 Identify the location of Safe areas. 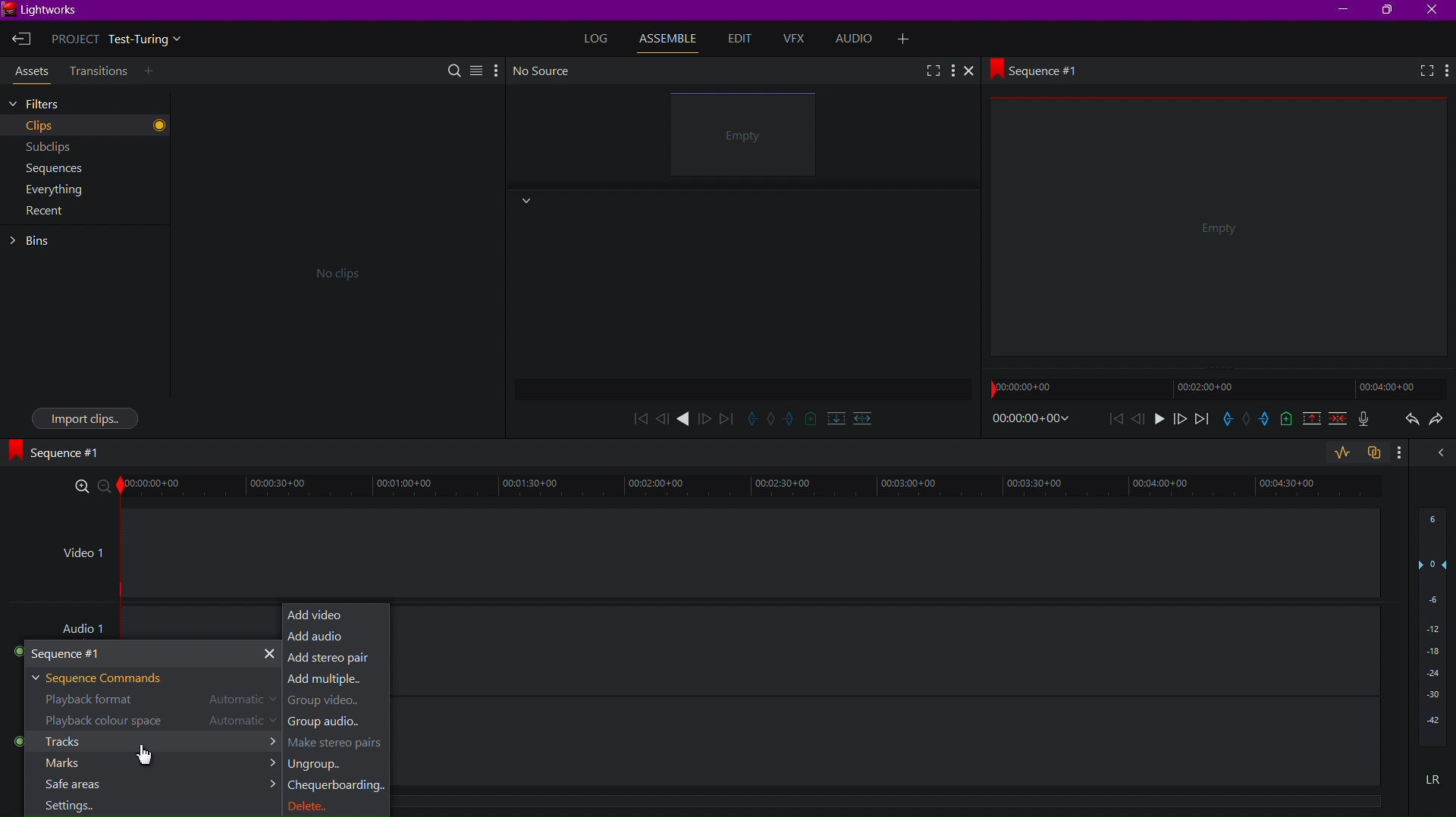
(146, 784).